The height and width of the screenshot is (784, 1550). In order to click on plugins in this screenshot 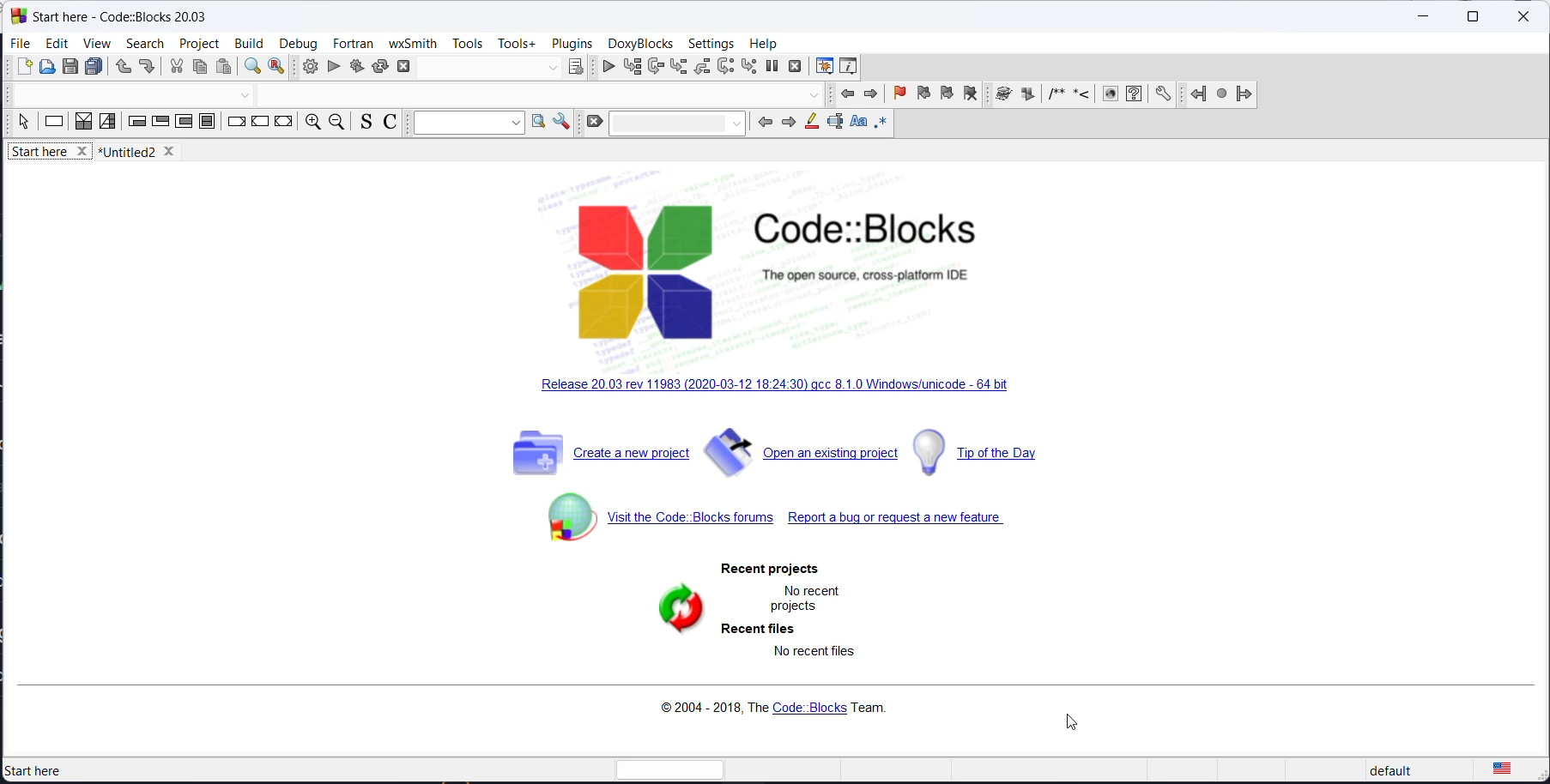, I will do `click(572, 43)`.